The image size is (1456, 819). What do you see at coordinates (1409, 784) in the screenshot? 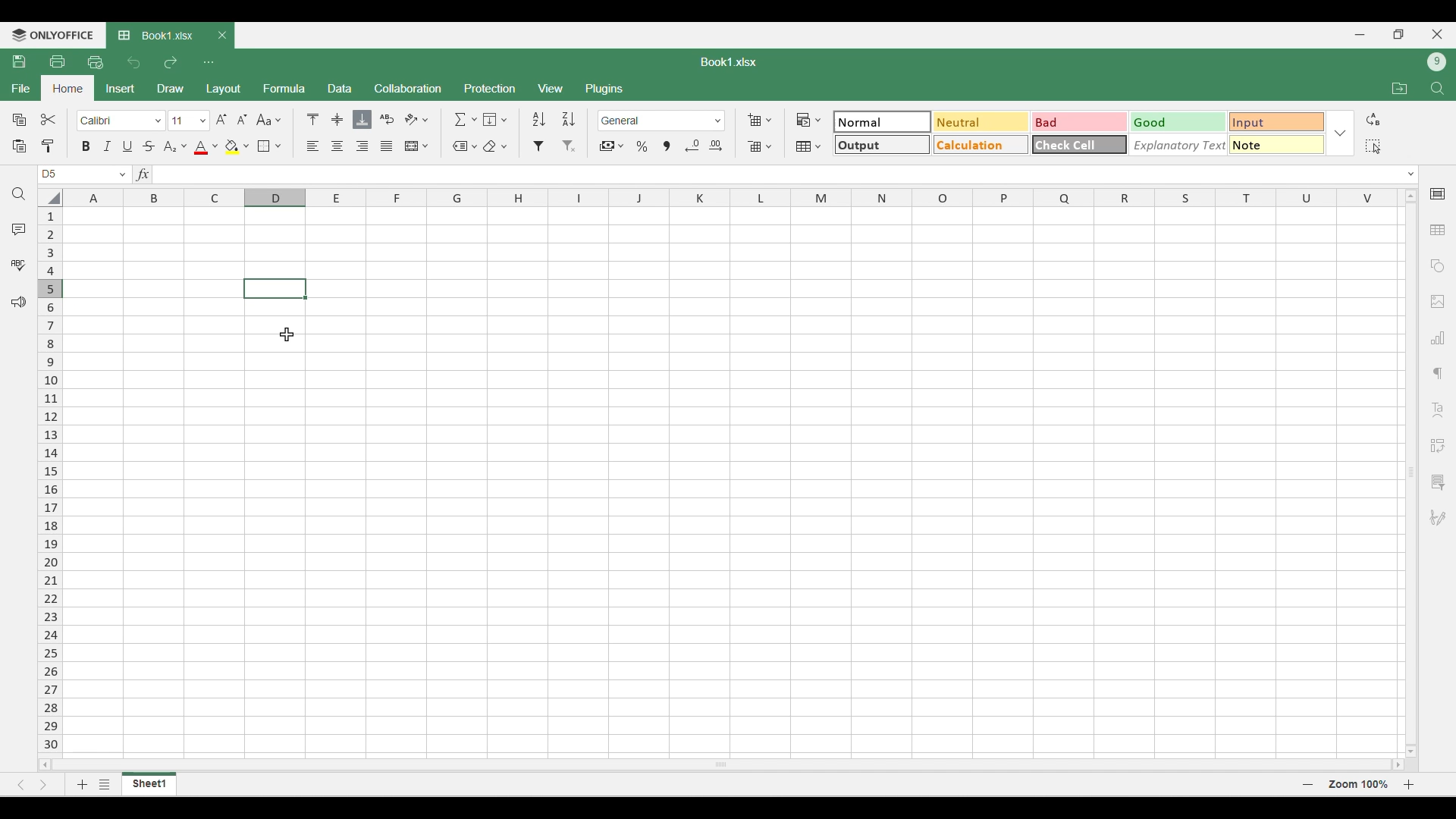
I see `Zoom in` at bounding box center [1409, 784].